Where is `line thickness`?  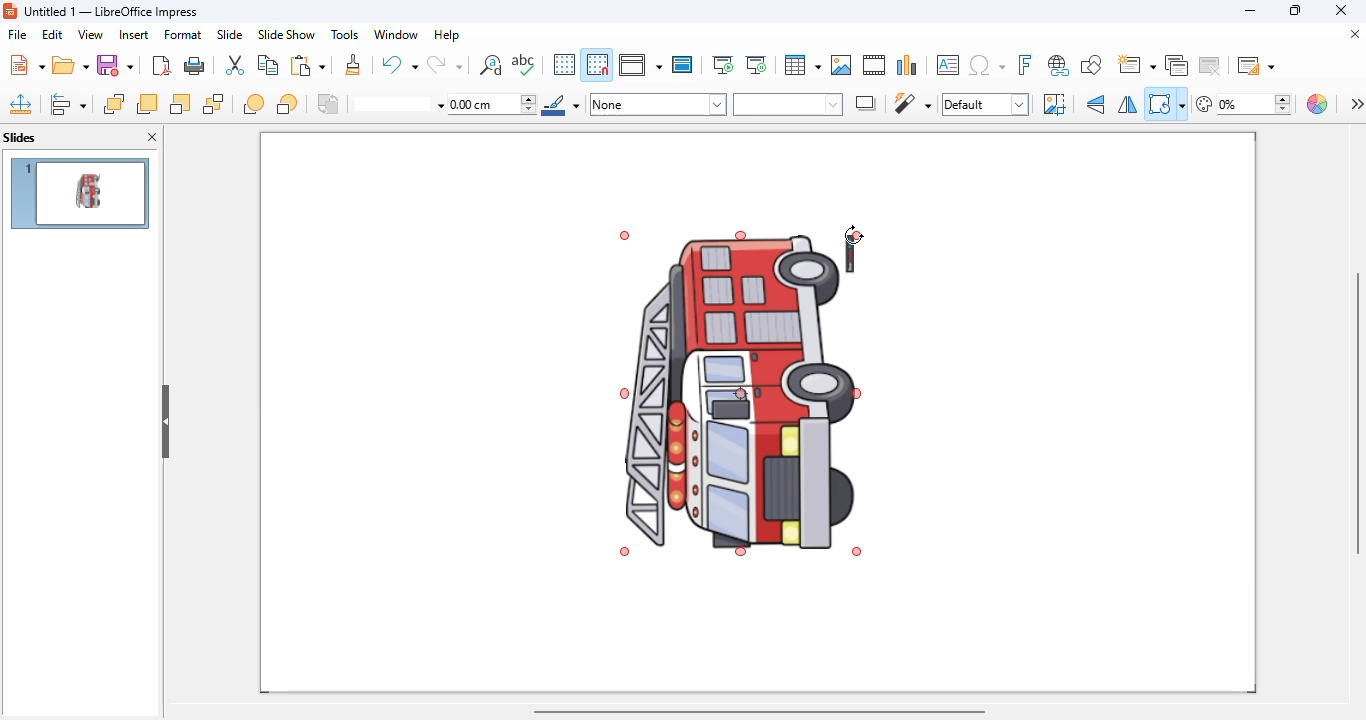
line thickness is located at coordinates (493, 104).